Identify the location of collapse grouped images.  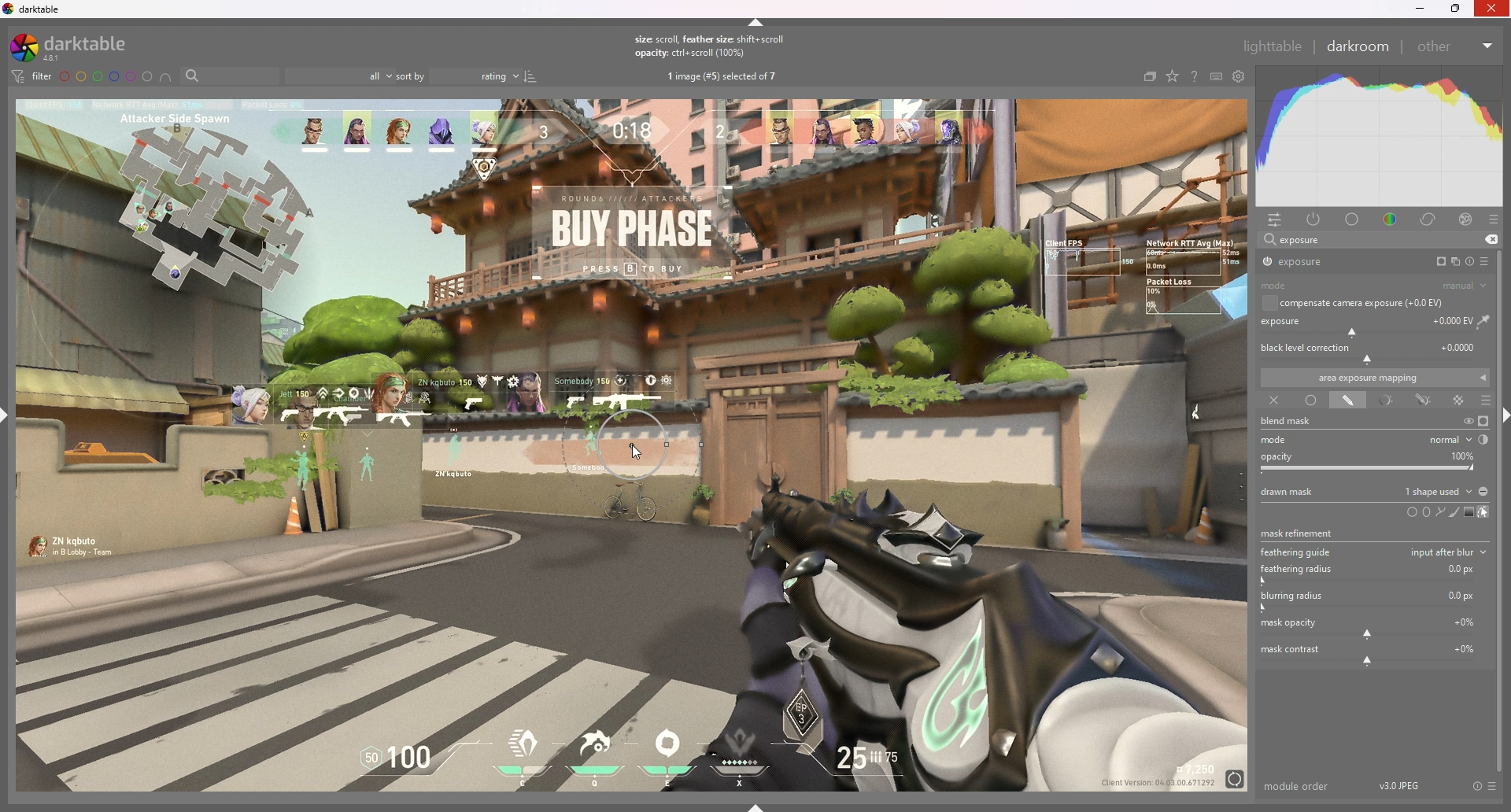
(1149, 78).